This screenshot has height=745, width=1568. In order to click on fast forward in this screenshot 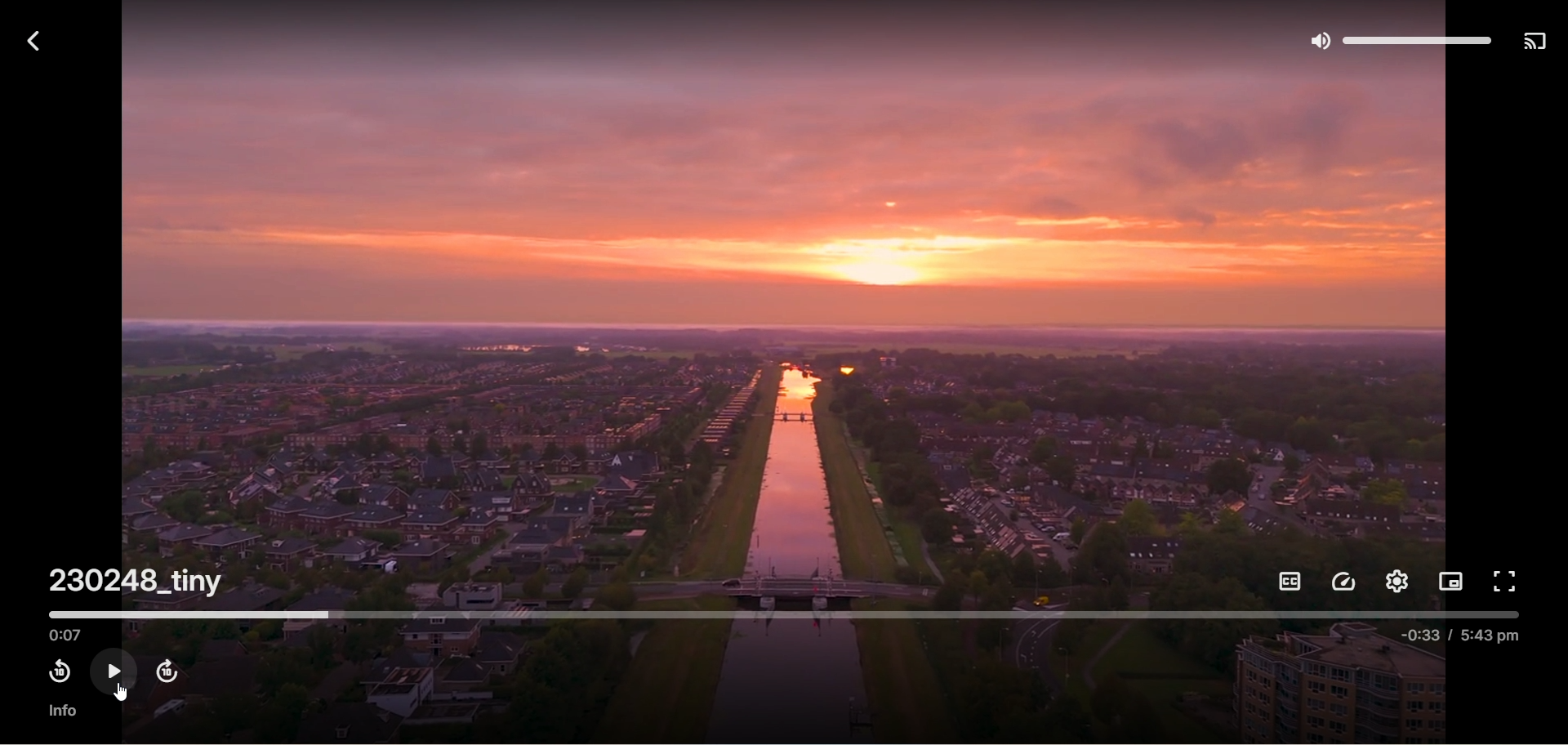, I will do `click(172, 669)`.